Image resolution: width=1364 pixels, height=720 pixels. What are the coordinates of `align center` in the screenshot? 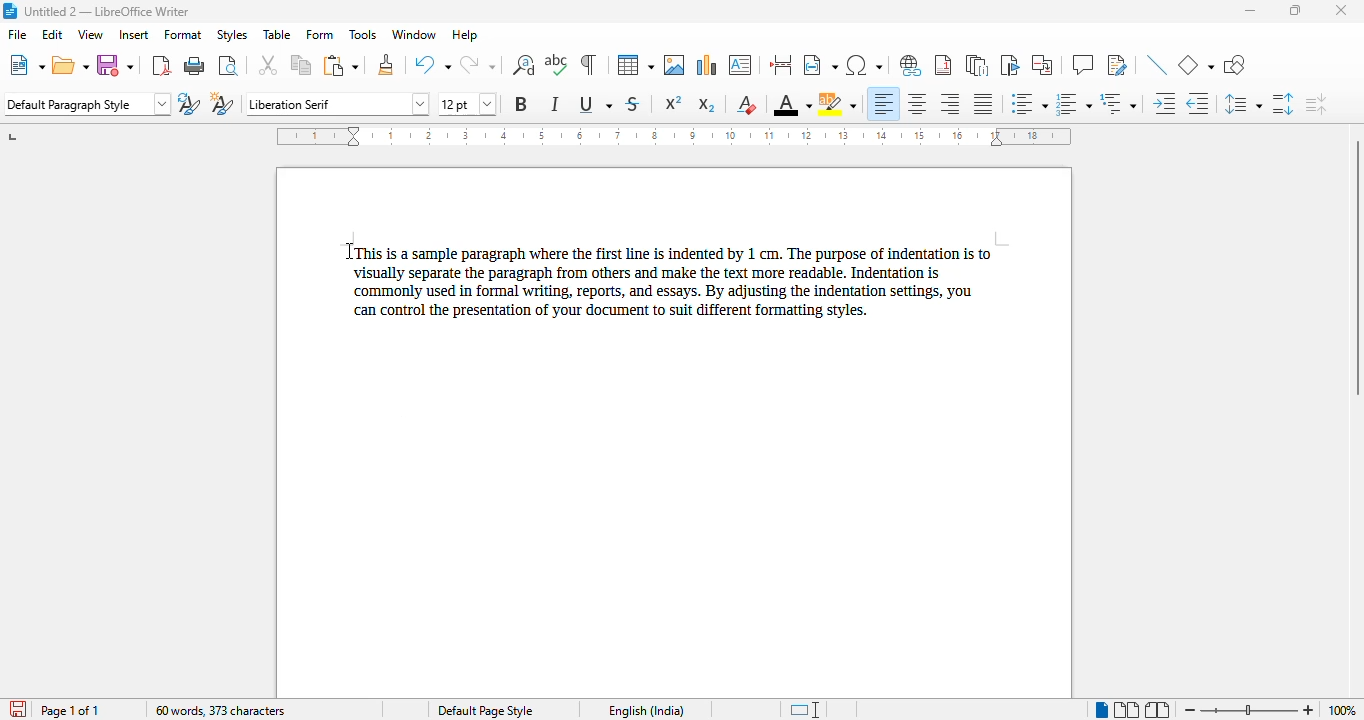 It's located at (917, 103).